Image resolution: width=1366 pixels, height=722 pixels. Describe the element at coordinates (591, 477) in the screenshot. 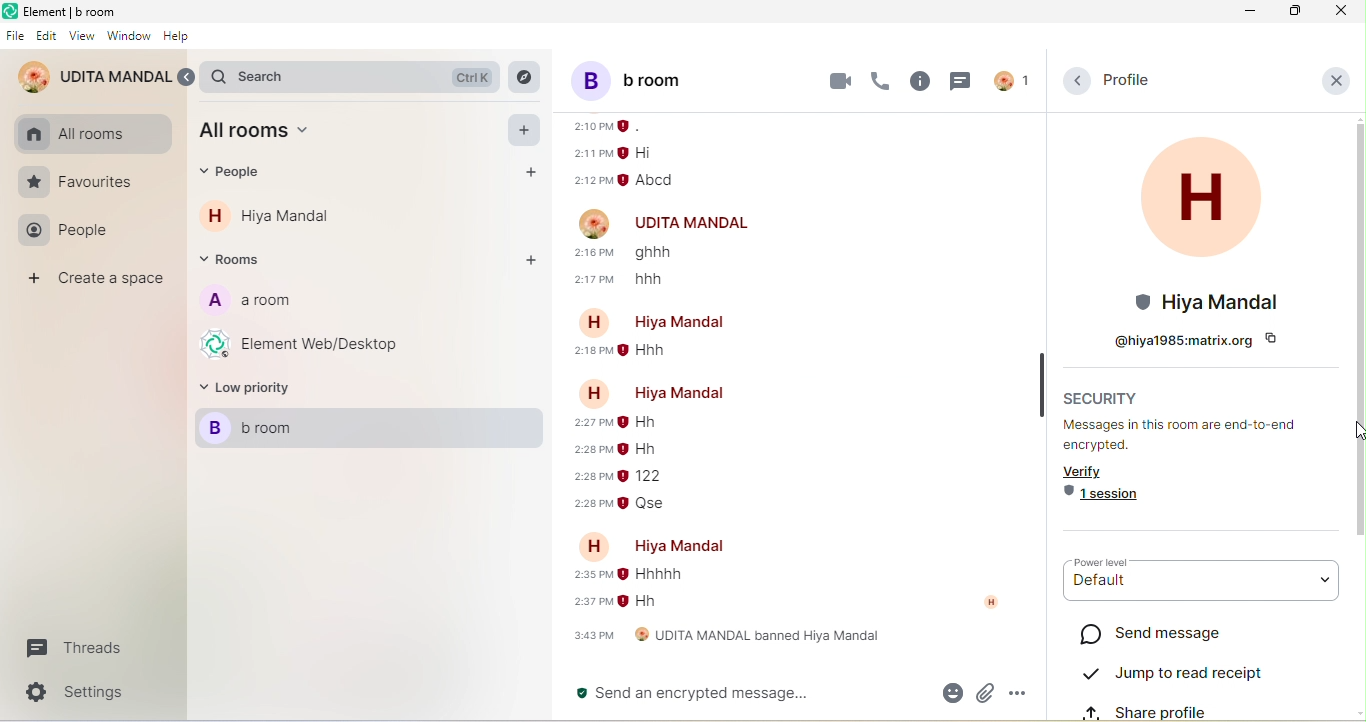

I see `sending message time` at that location.